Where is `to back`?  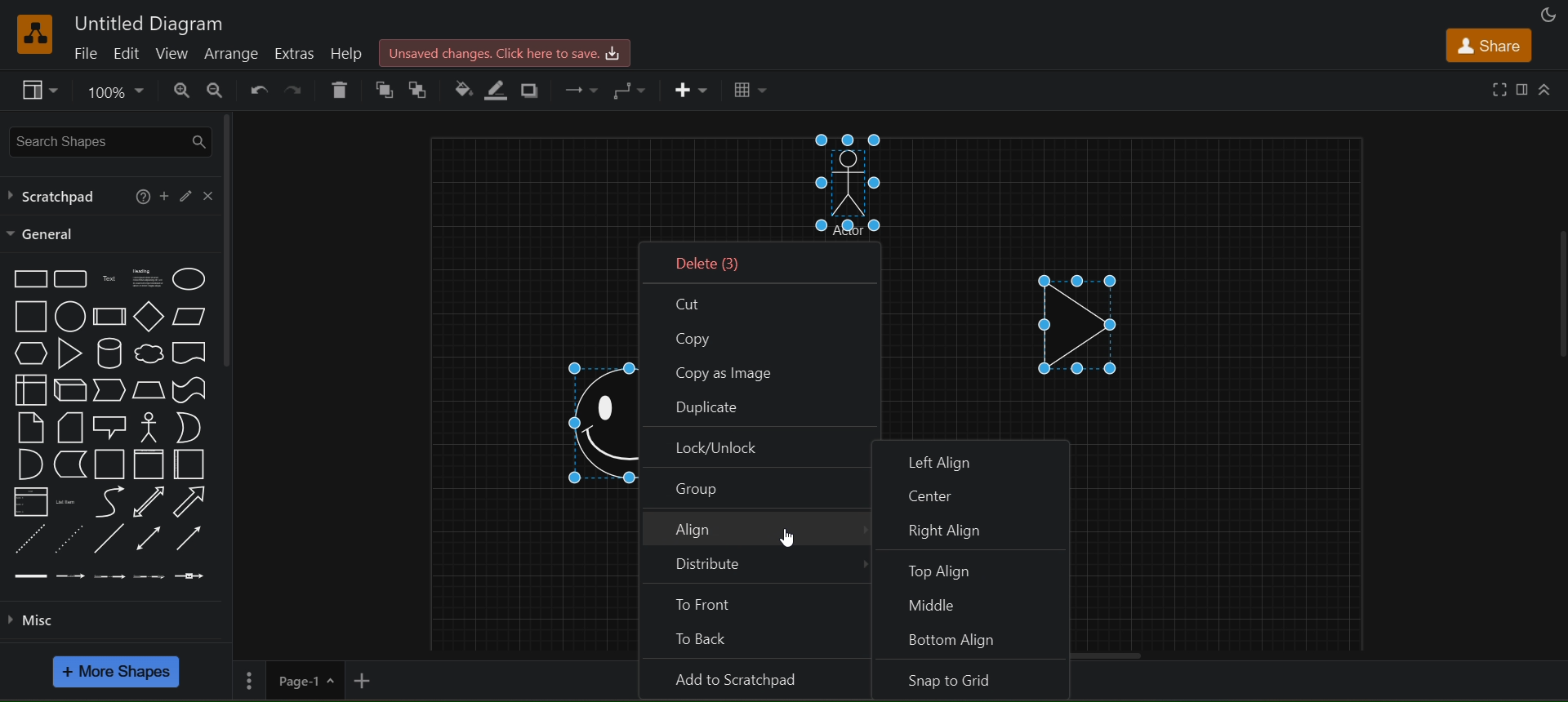
to back is located at coordinates (758, 641).